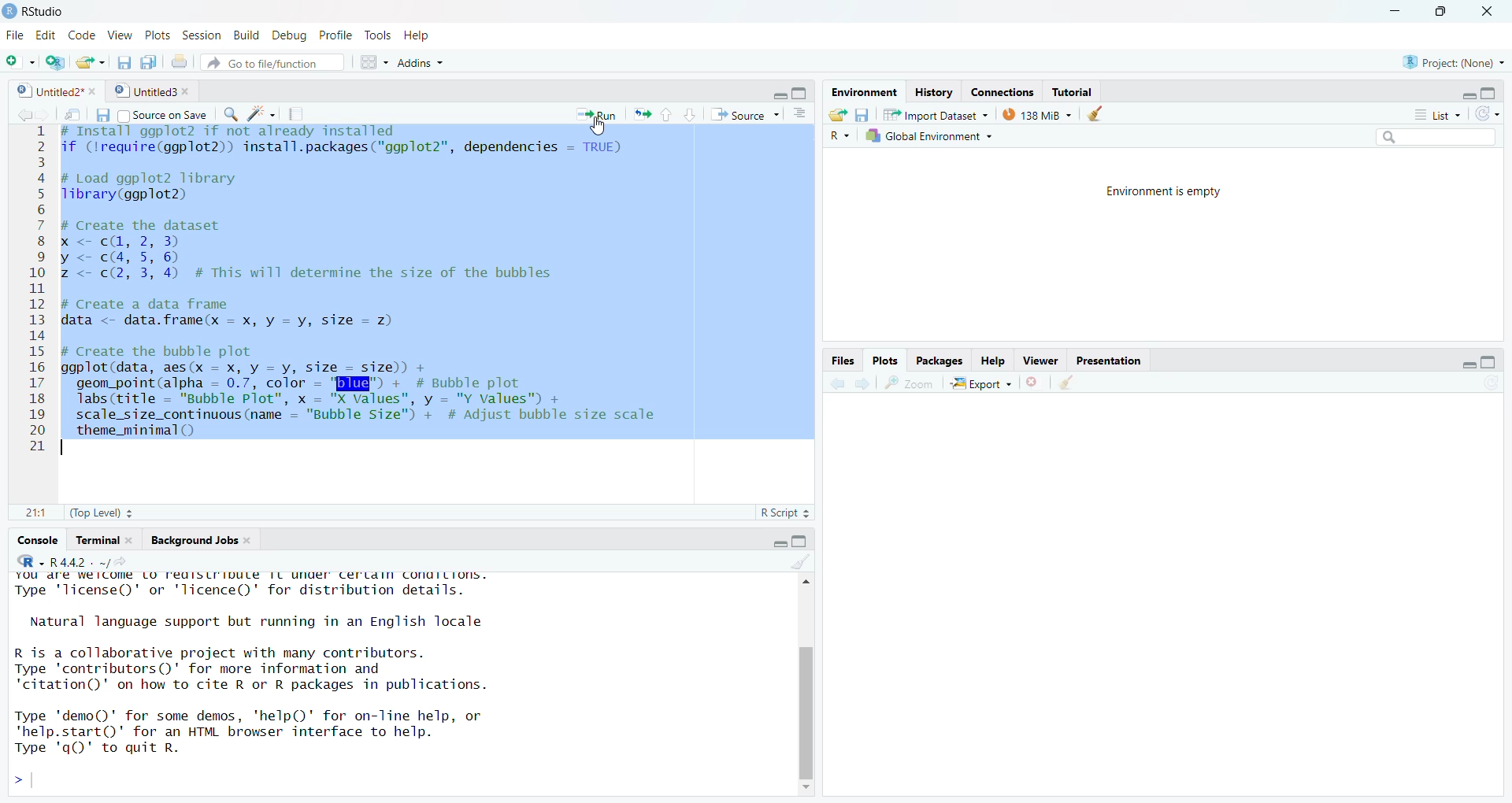 The height and width of the screenshot is (803, 1512). What do you see at coordinates (124, 59) in the screenshot?
I see `save all documents` at bounding box center [124, 59].